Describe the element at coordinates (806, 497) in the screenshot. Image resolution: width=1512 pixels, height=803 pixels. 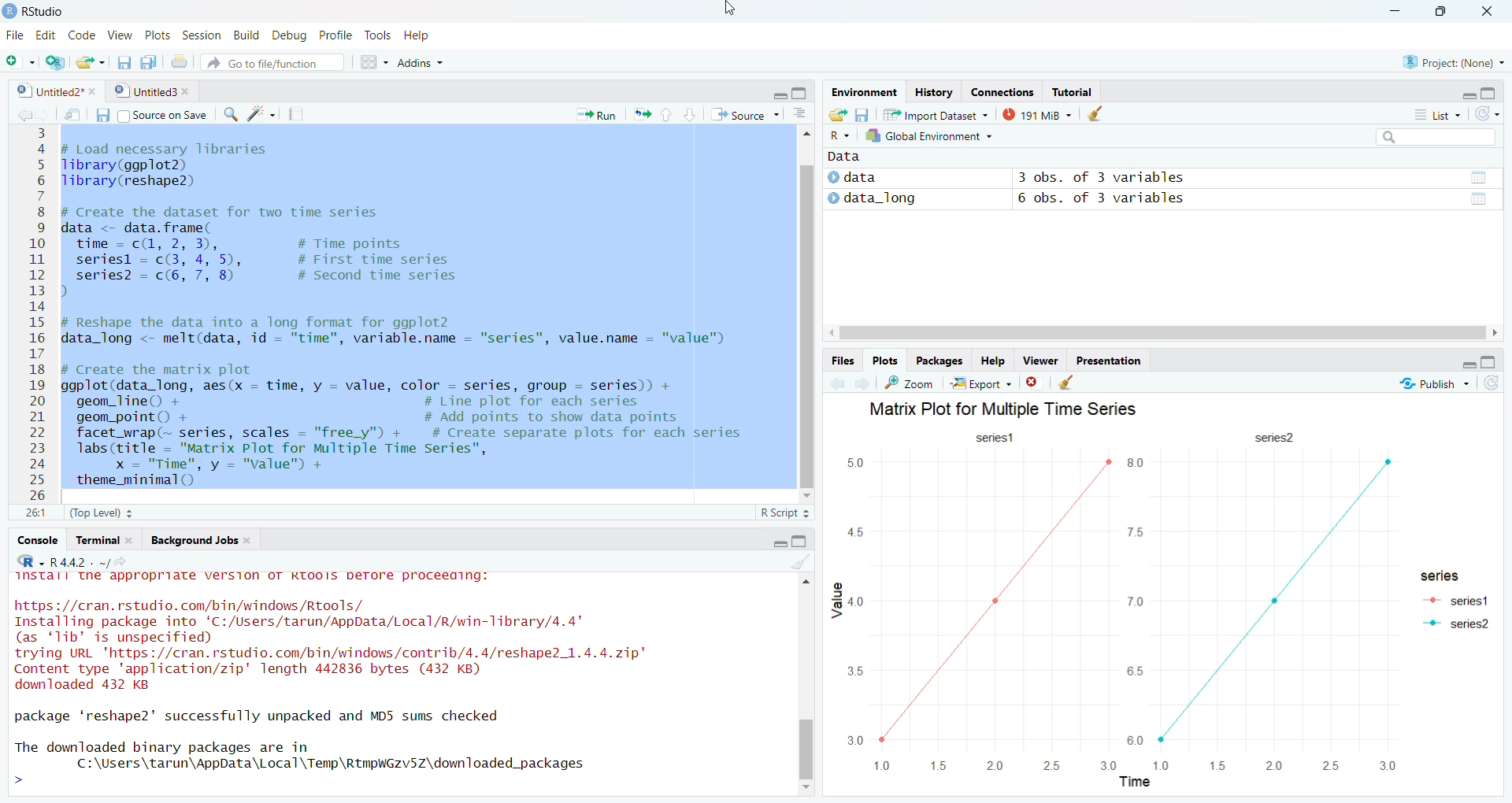
I see `scroll down` at that location.